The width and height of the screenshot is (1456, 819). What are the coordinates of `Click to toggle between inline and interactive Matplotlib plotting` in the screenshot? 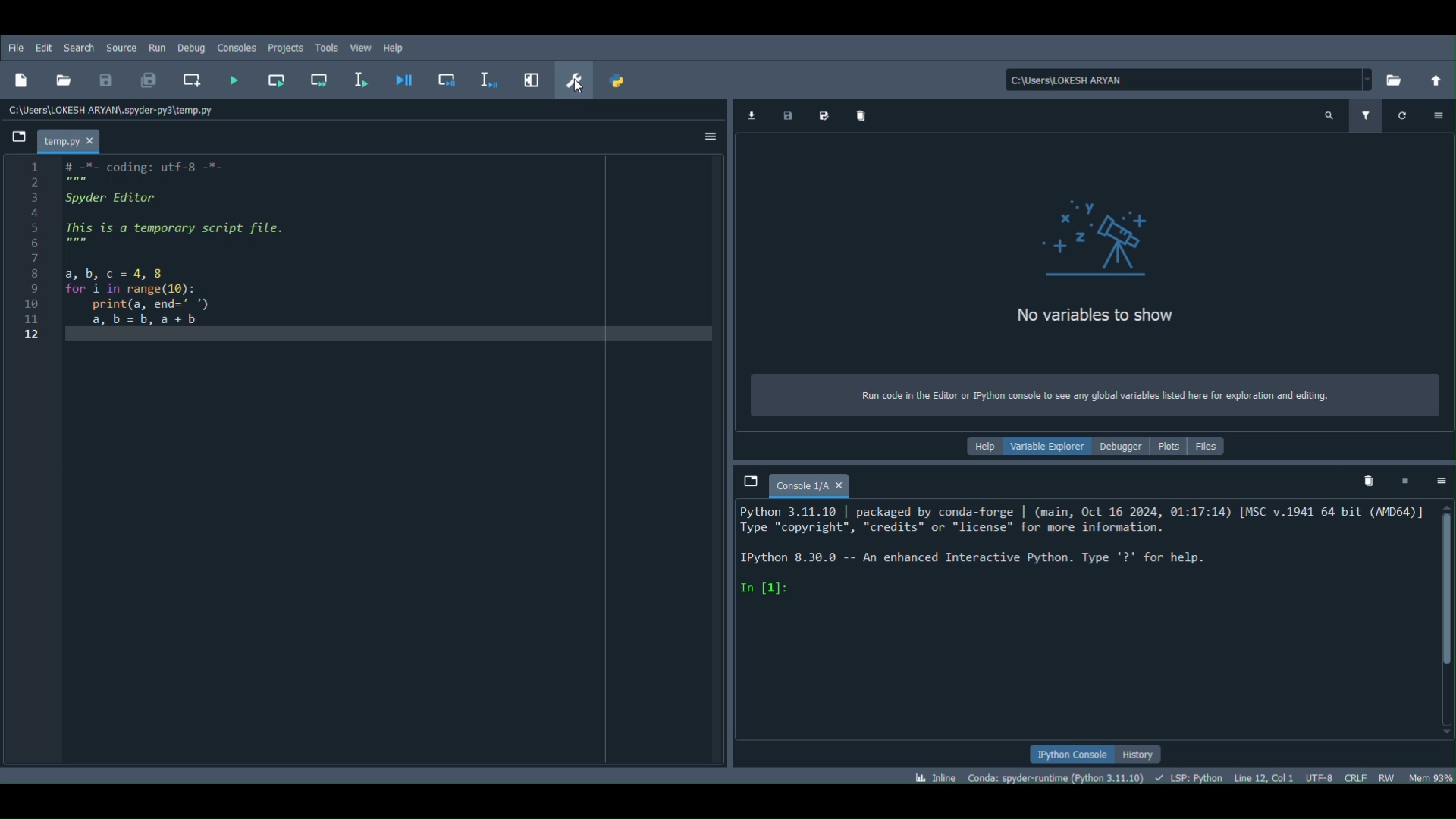 It's located at (938, 773).